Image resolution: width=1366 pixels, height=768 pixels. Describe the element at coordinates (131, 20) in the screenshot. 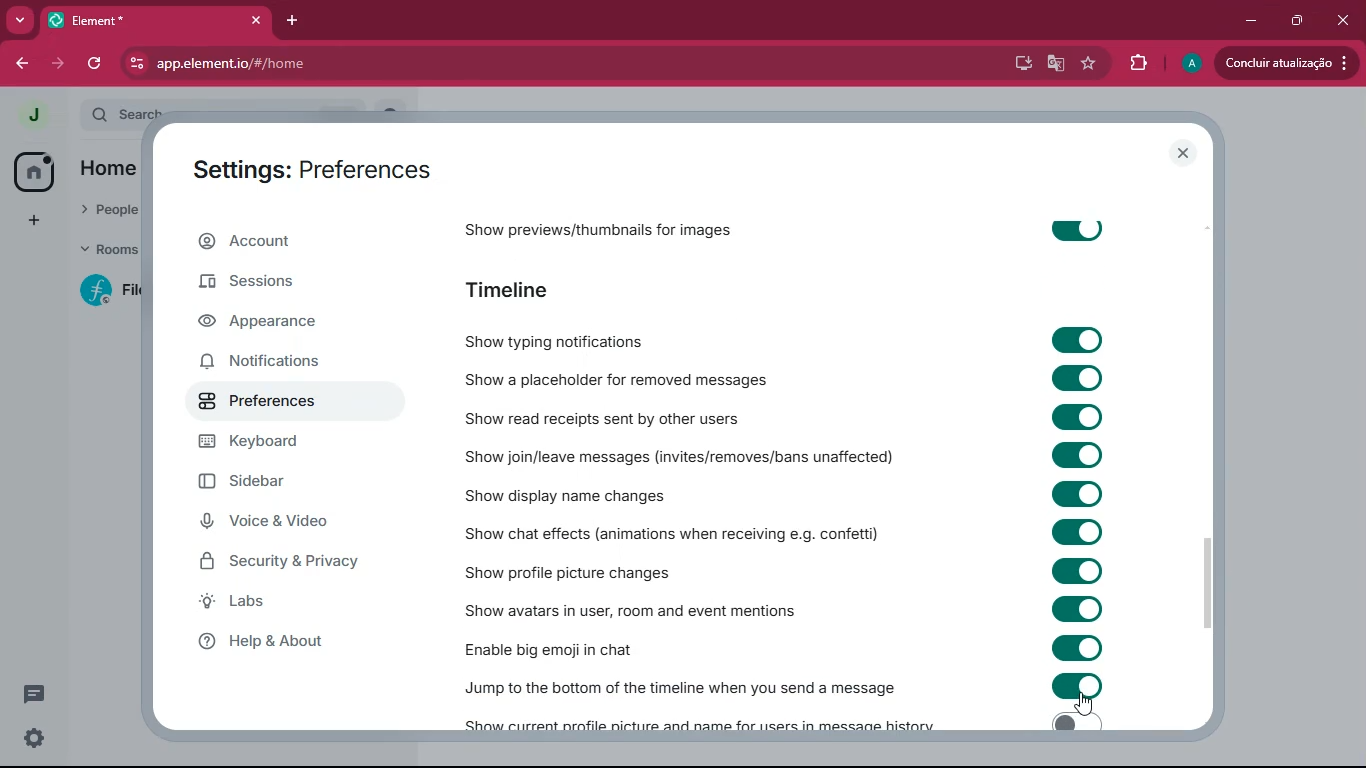

I see `element*` at that location.